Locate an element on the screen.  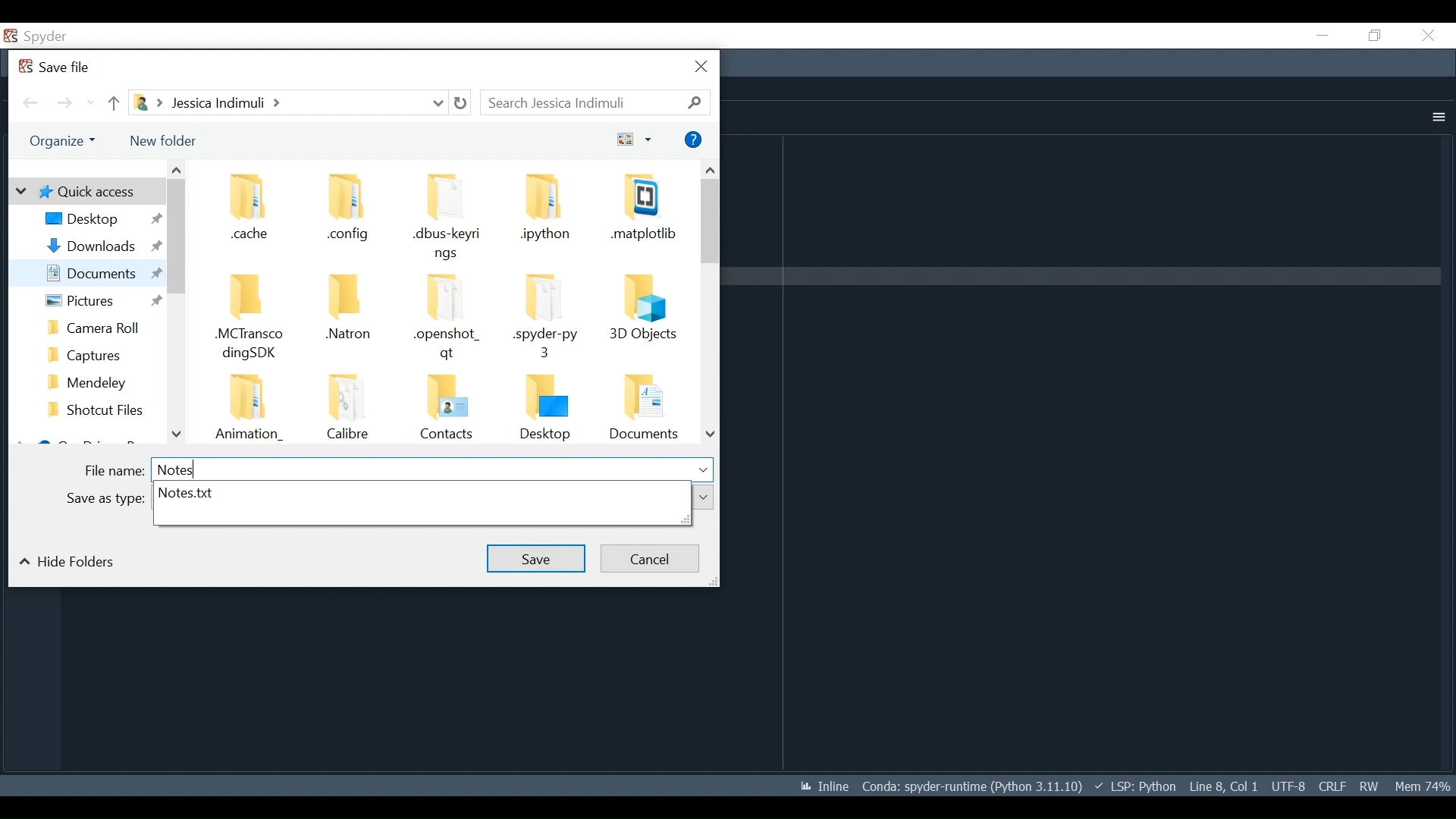
Help is located at coordinates (694, 140).